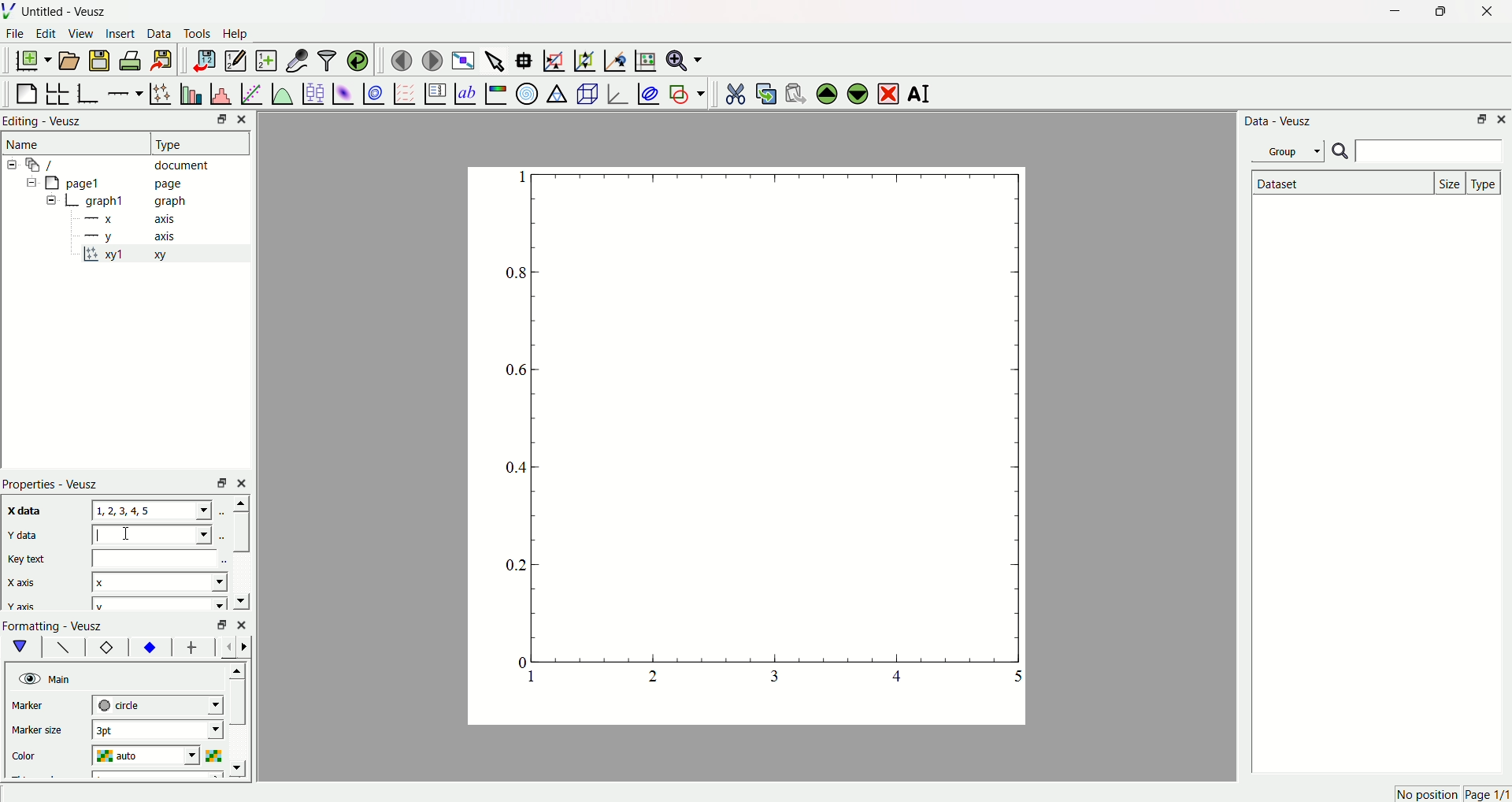 The height and width of the screenshot is (802, 1512). Describe the element at coordinates (1487, 795) in the screenshot. I see `page 1/1` at that location.